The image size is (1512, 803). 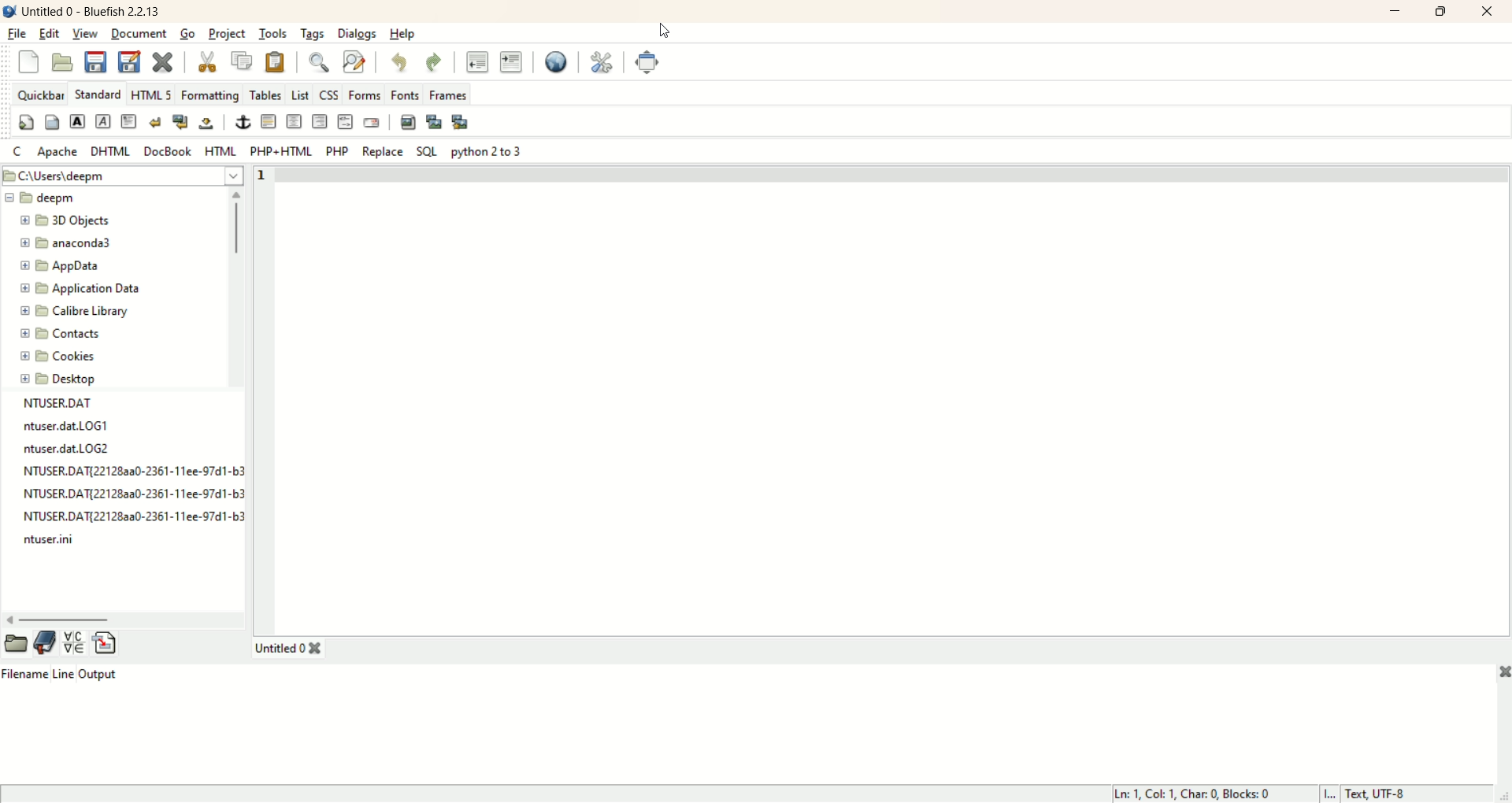 What do you see at coordinates (364, 94) in the screenshot?
I see `forms` at bounding box center [364, 94].